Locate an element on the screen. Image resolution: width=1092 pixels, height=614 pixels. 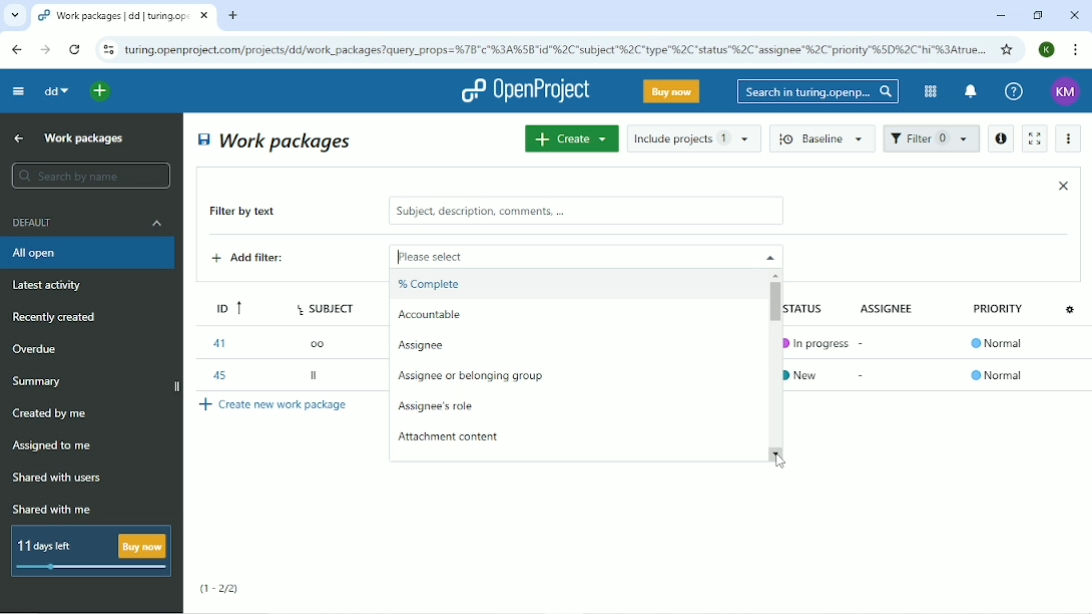
Help is located at coordinates (1014, 92).